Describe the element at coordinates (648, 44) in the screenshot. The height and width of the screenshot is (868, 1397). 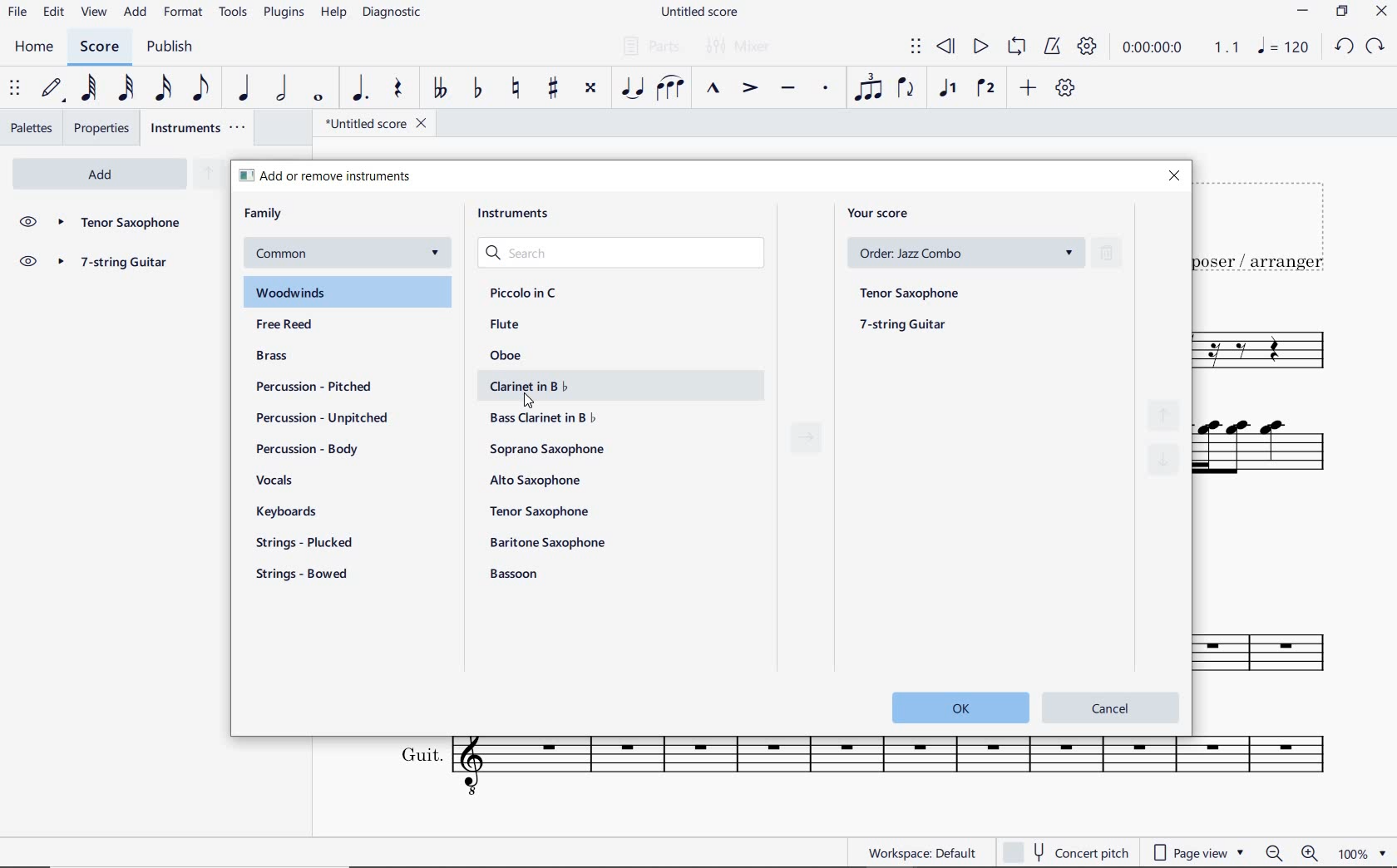
I see `PARTS` at that location.